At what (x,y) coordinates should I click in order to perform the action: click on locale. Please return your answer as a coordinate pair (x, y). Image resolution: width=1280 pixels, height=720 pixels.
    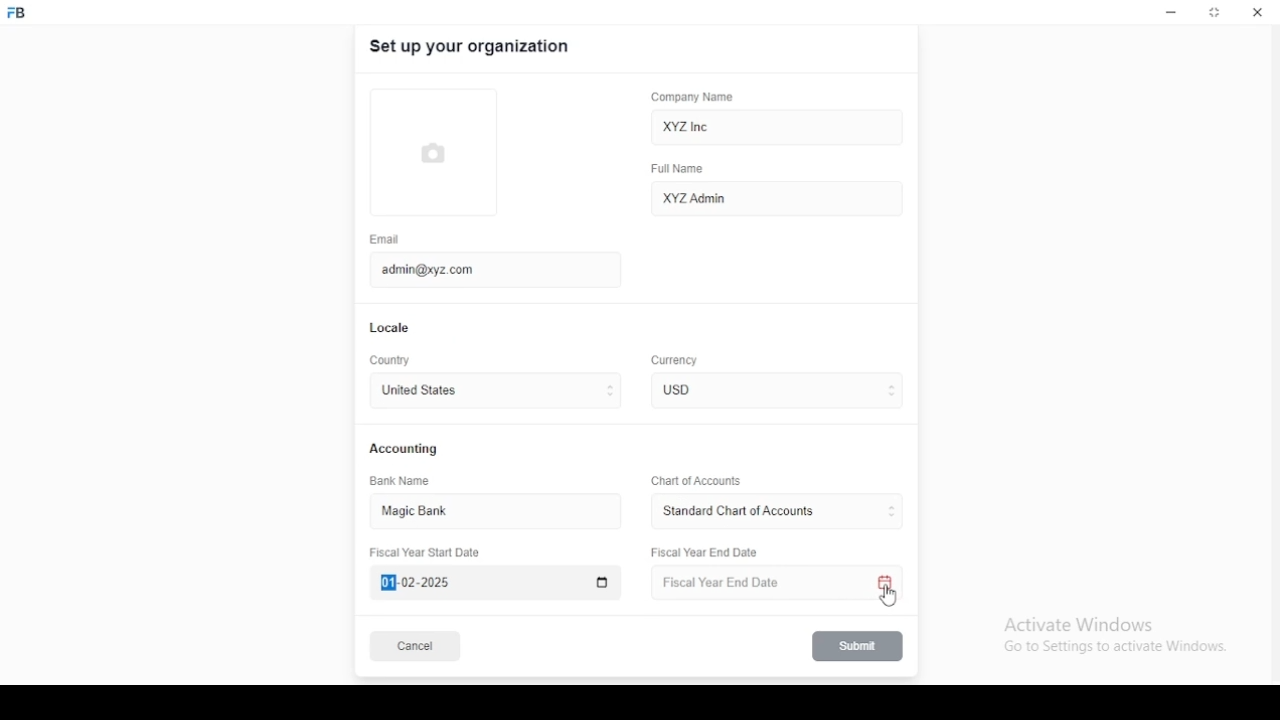
    Looking at the image, I should click on (391, 328).